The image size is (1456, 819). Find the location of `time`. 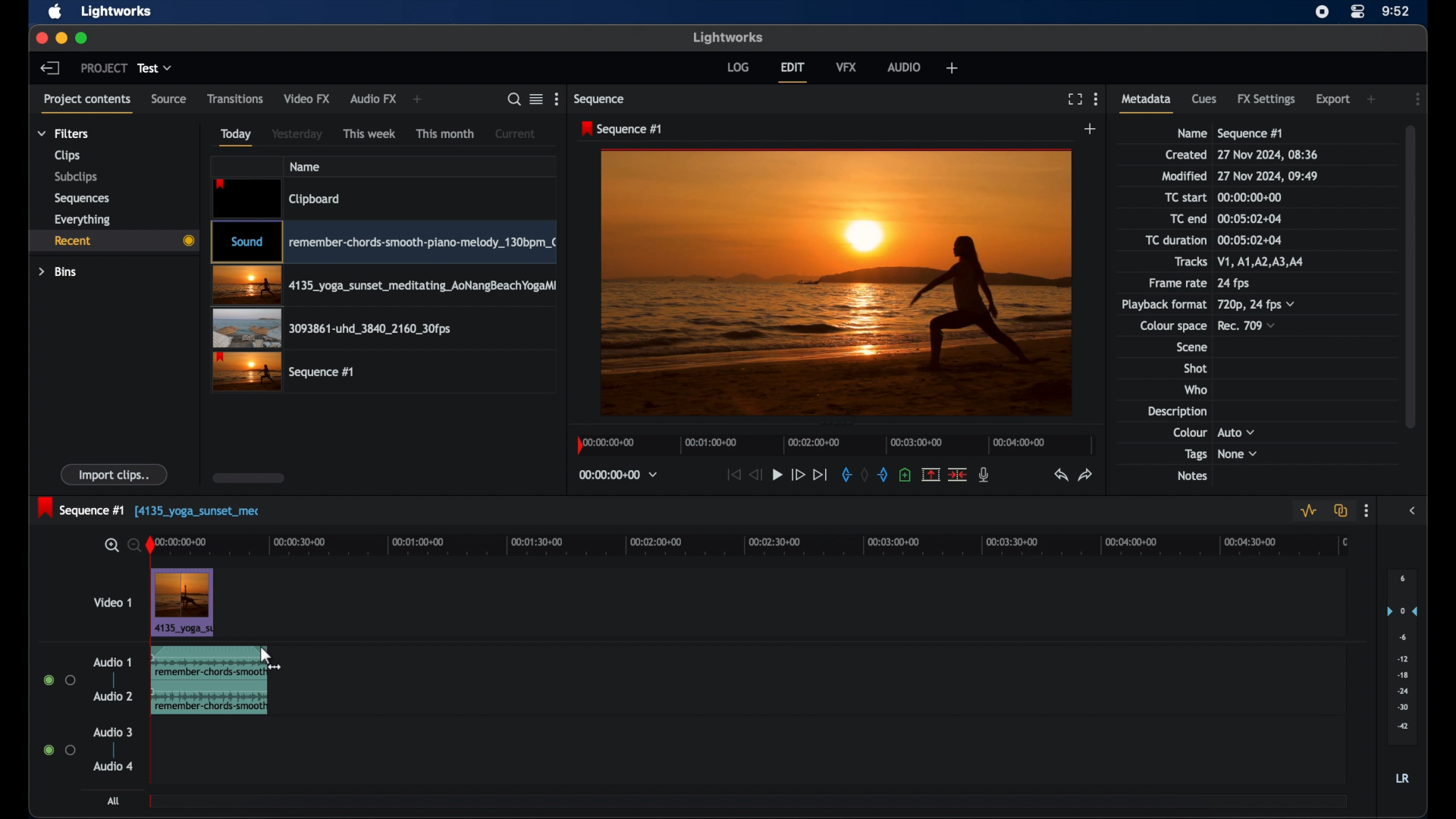

time is located at coordinates (1396, 10).